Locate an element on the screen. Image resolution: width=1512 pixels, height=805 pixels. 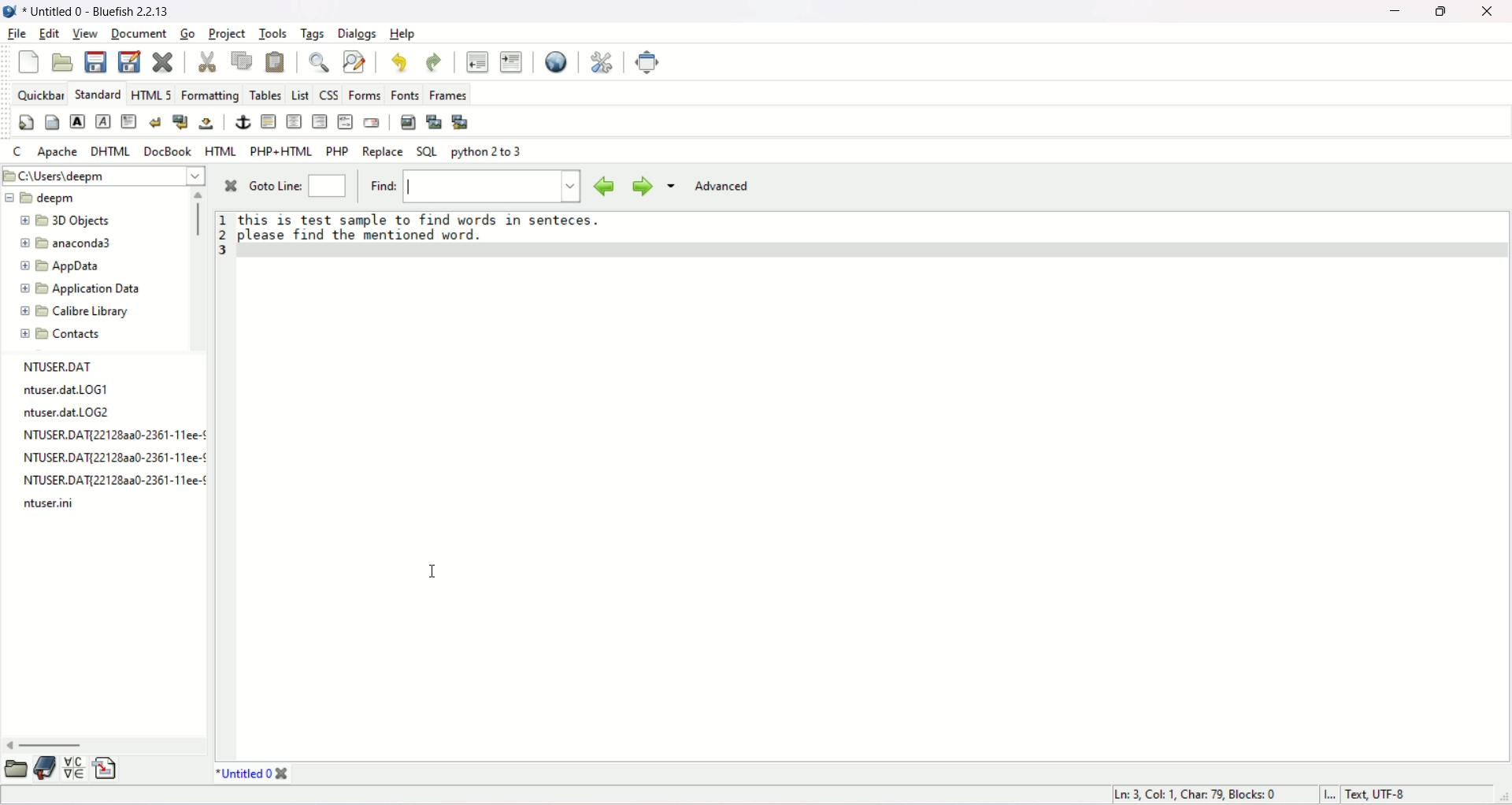
open is located at coordinates (62, 62).